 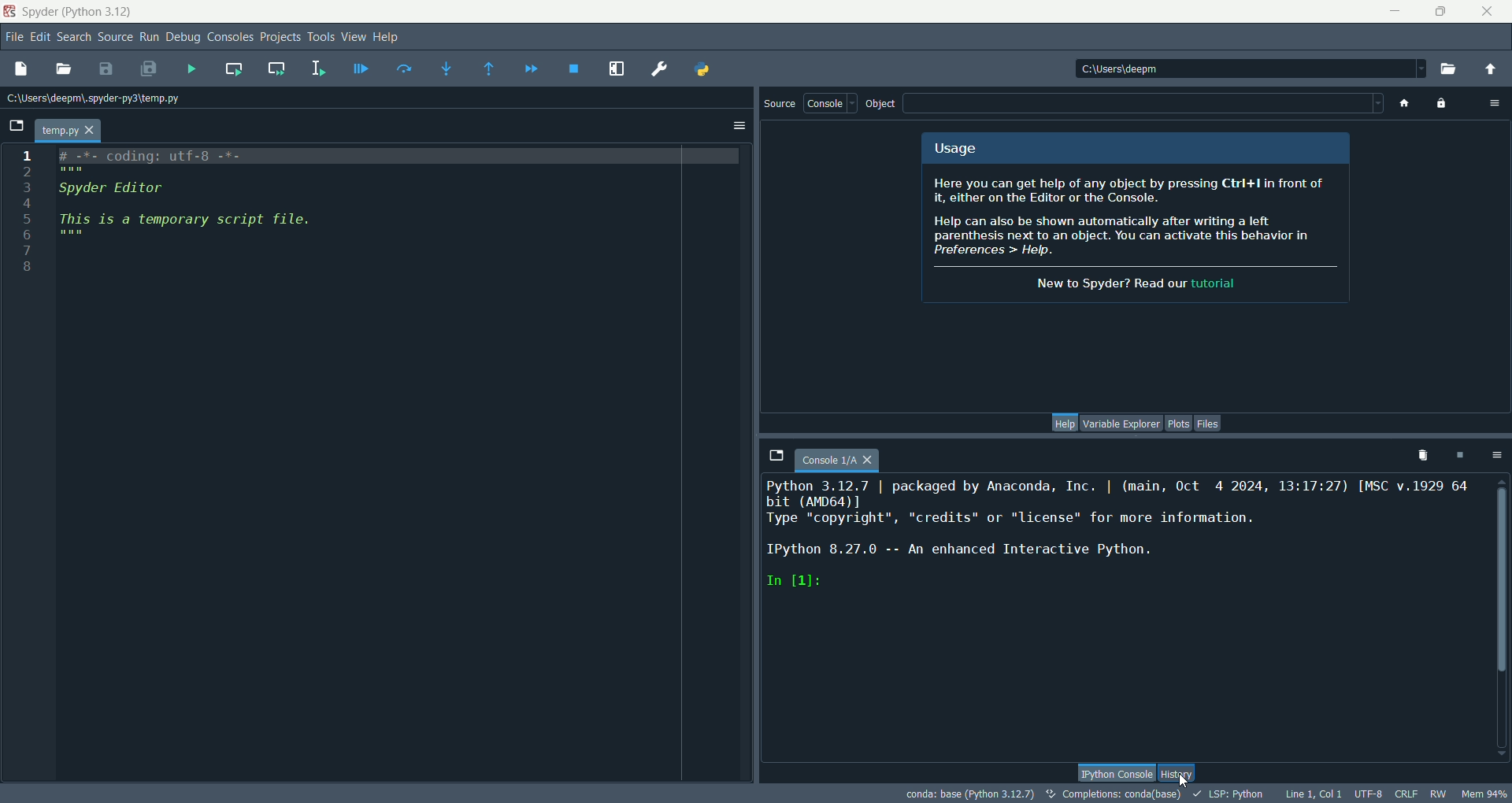 I want to click on browse working directory, so click(x=1453, y=68).